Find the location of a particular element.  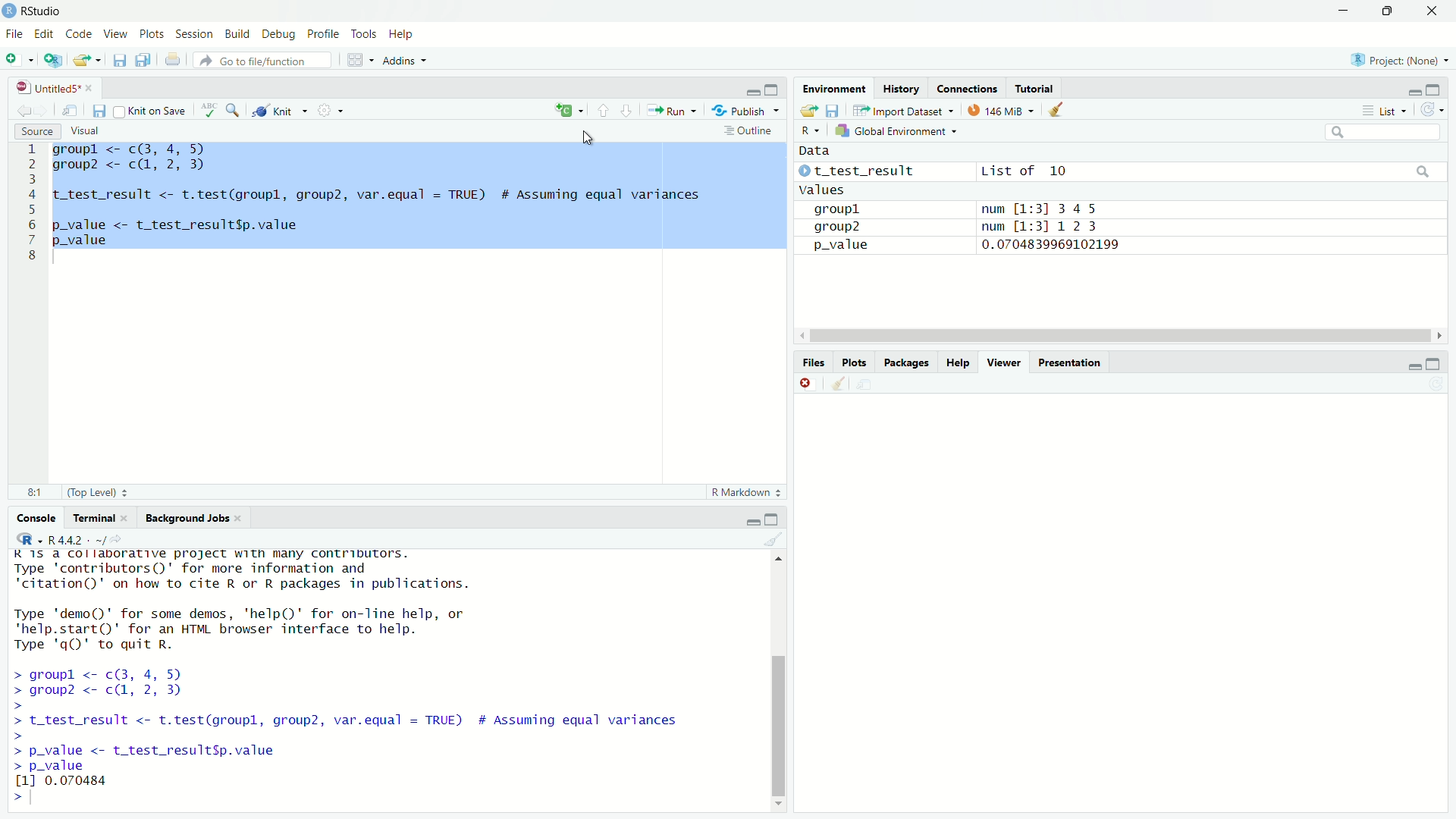

Connections is located at coordinates (967, 88).